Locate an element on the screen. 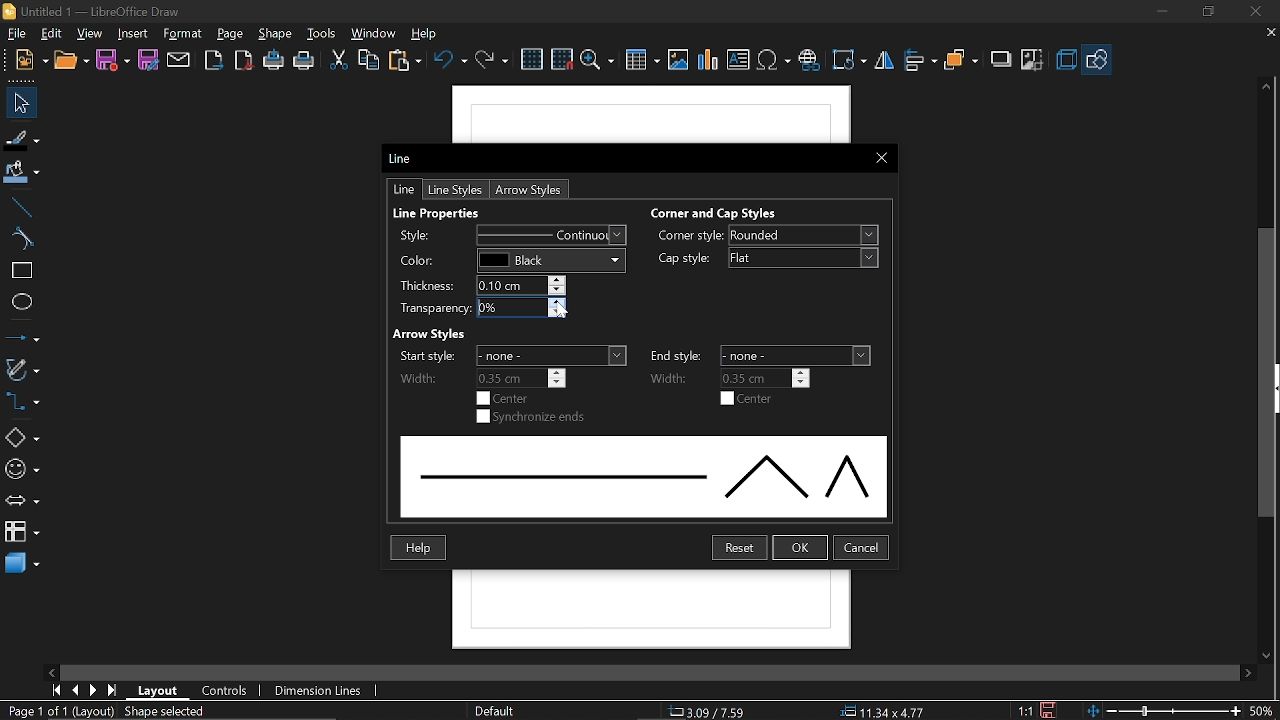 This screenshot has height=720, width=1280. symbol shapes is located at coordinates (22, 472).